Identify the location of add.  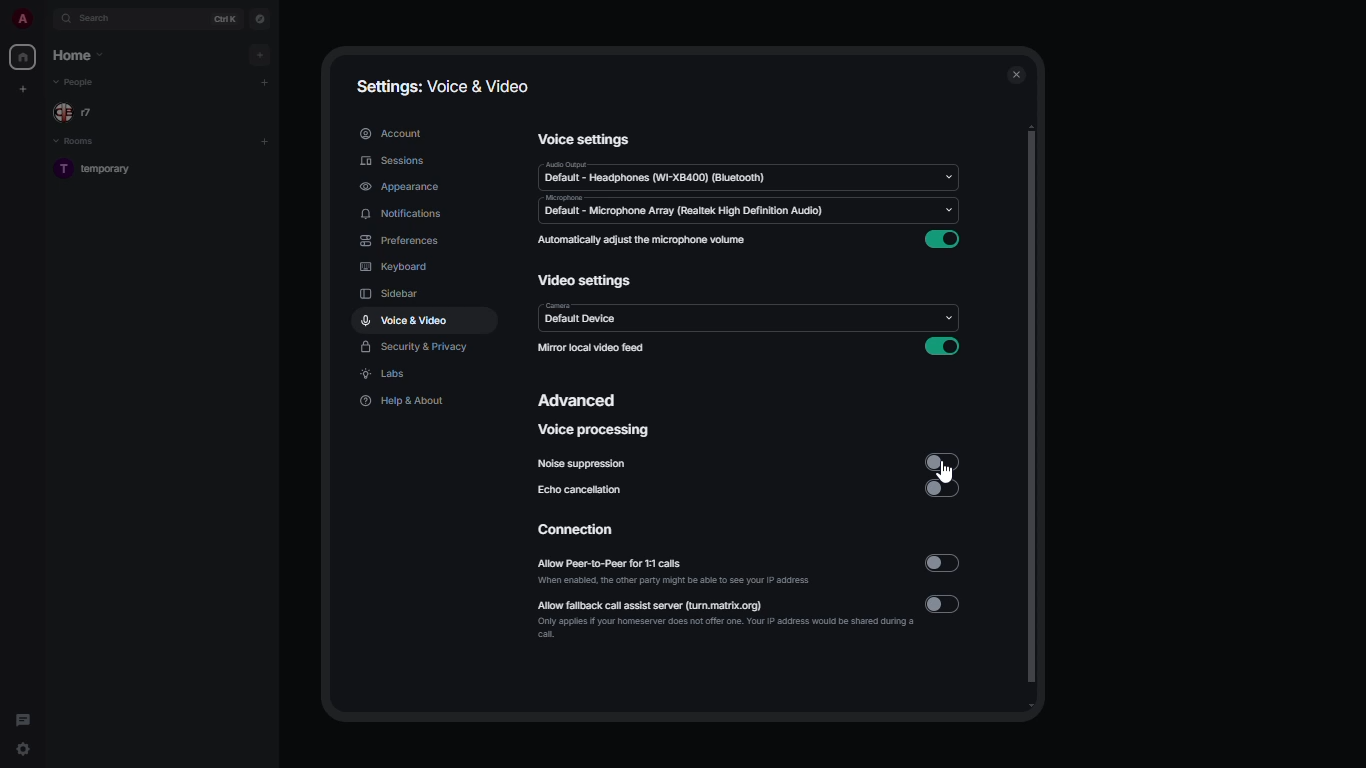
(264, 81).